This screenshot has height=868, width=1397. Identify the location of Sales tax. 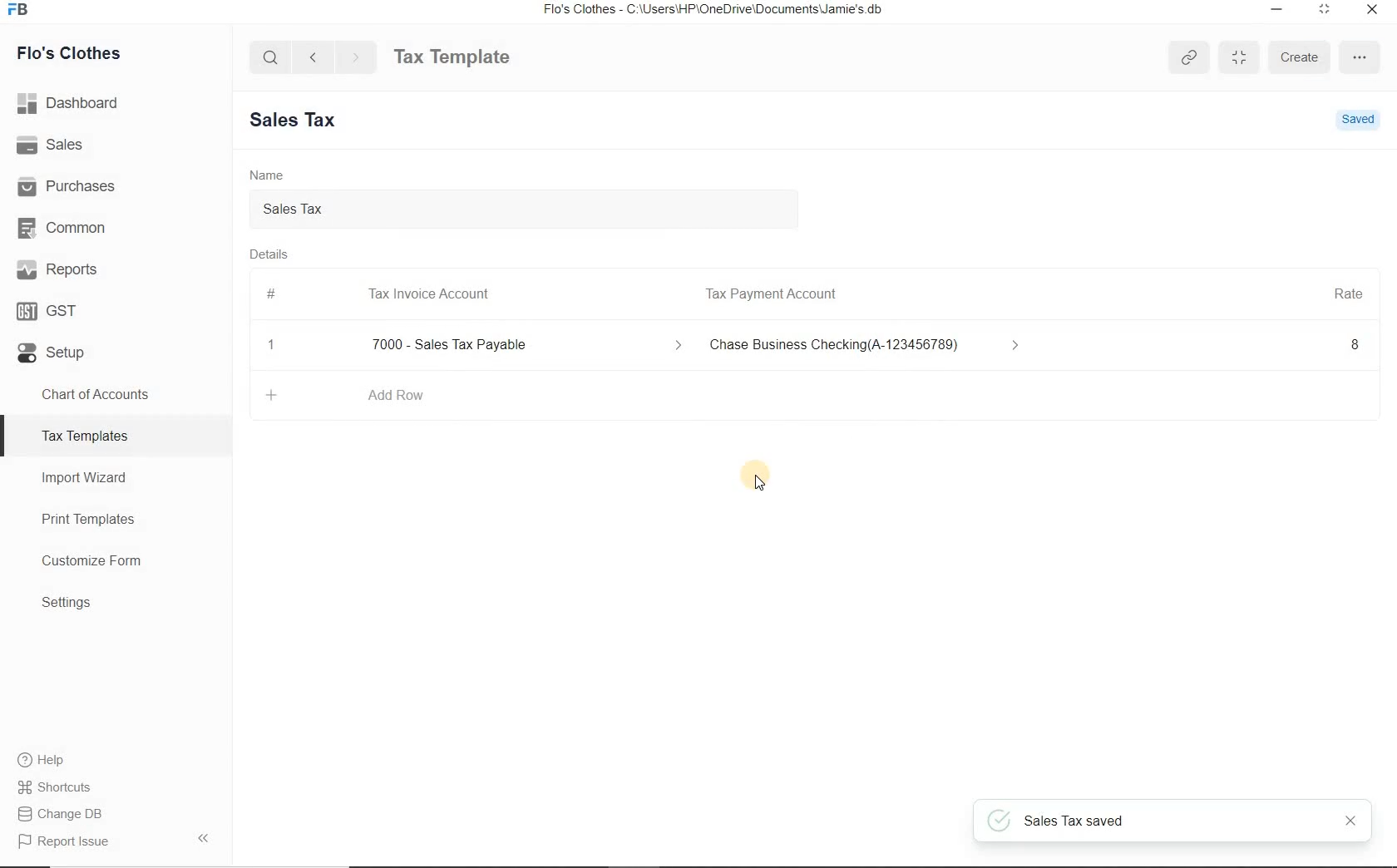
(531, 211).